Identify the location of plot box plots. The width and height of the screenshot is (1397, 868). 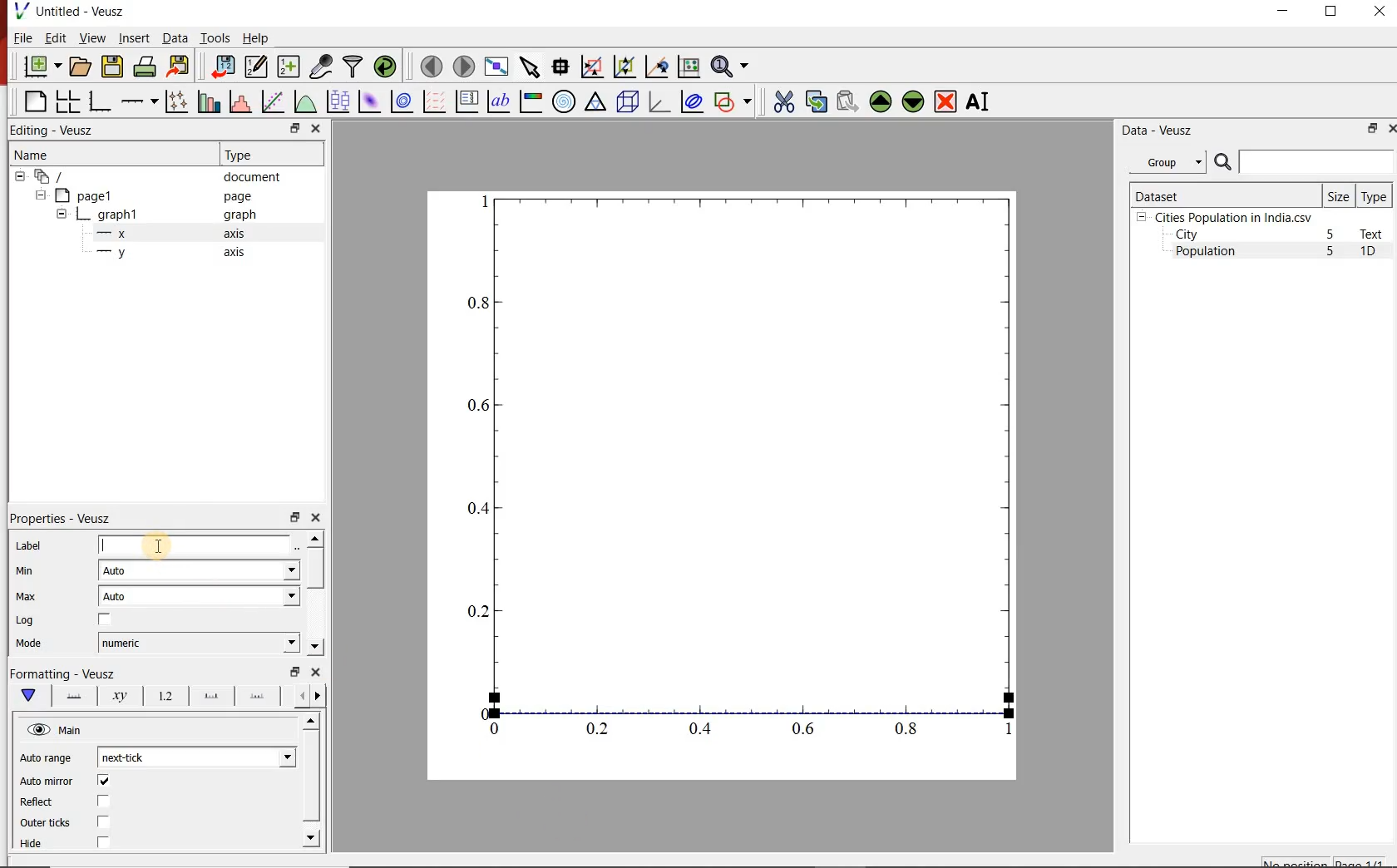
(337, 101).